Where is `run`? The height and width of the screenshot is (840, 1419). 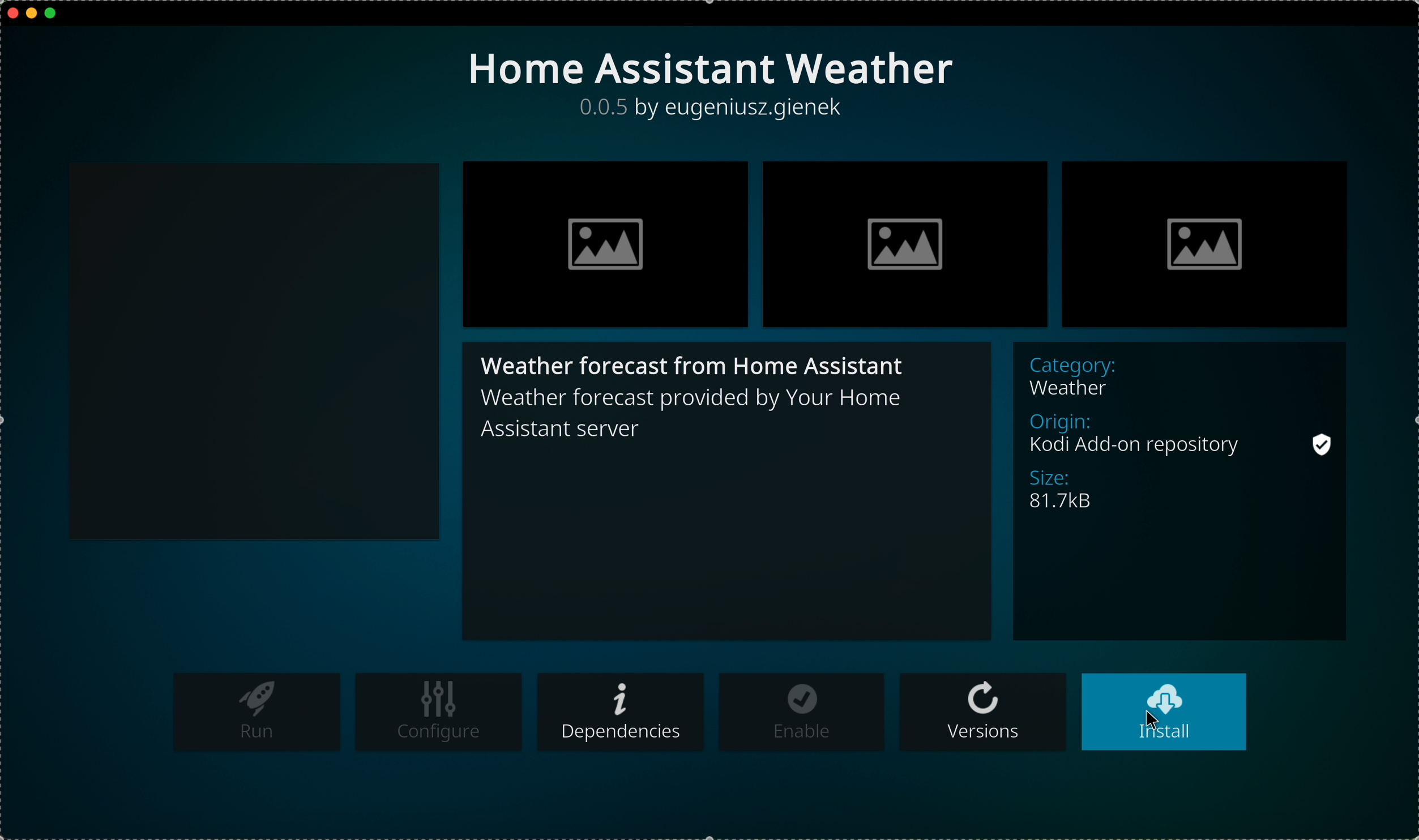 run is located at coordinates (256, 709).